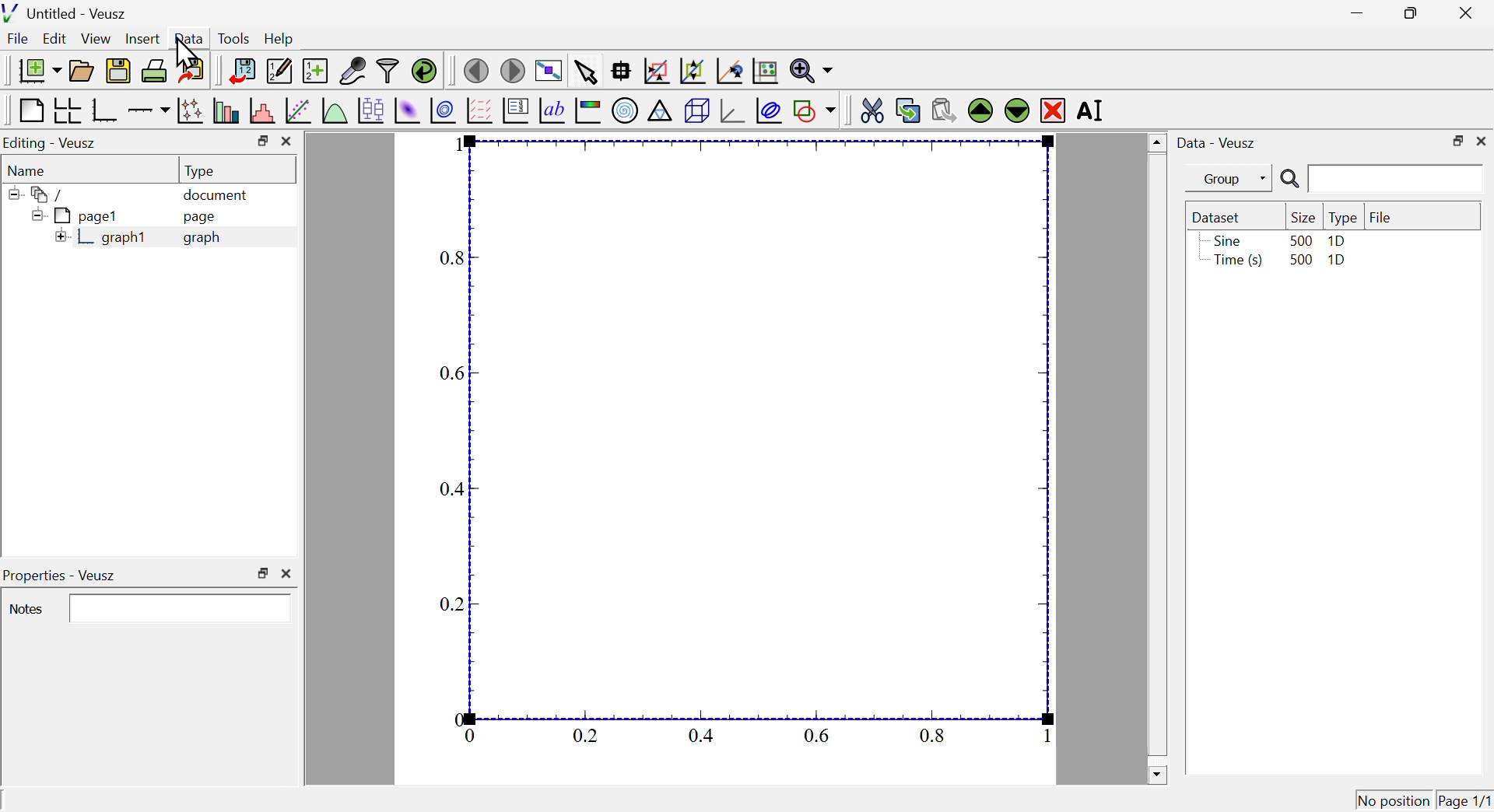 This screenshot has width=1494, height=812. I want to click on text label, so click(552, 113).